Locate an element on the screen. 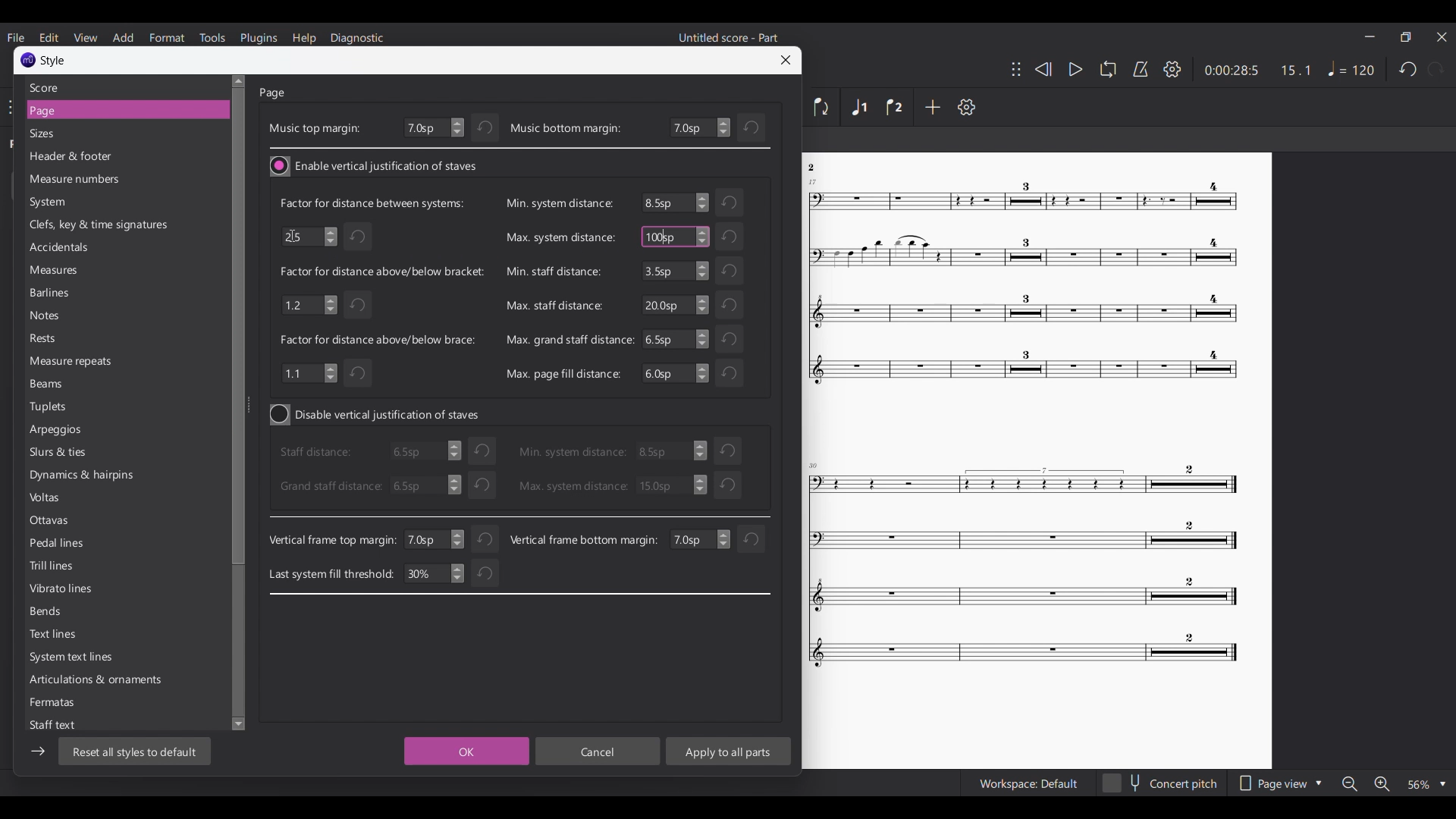 Image resolution: width=1456 pixels, height=819 pixels. Rewind is located at coordinates (1043, 69).